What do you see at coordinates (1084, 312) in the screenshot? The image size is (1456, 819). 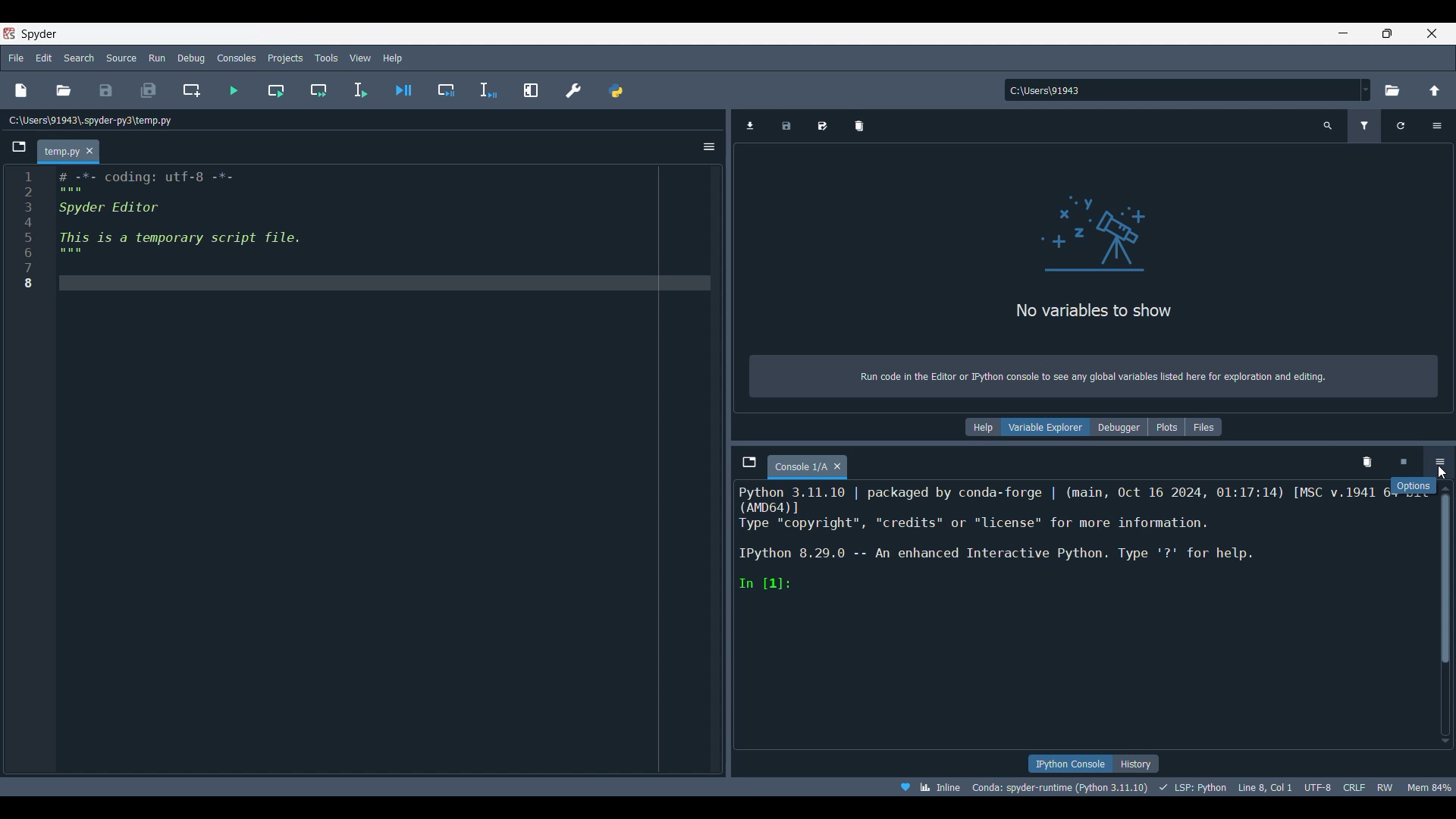 I see `No variables to show` at bounding box center [1084, 312].